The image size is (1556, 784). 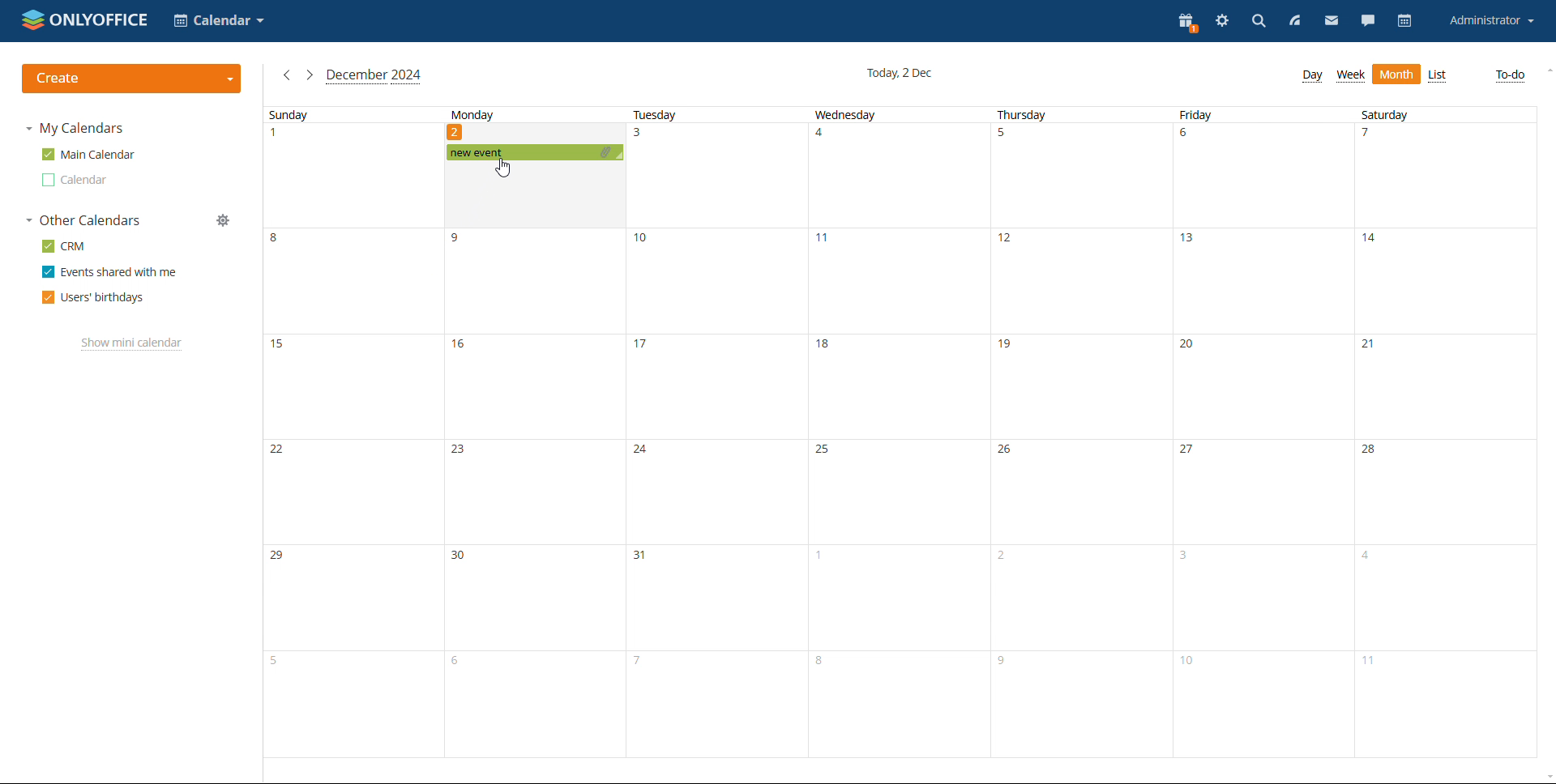 I want to click on ONLYOFFICE, so click(x=85, y=19).